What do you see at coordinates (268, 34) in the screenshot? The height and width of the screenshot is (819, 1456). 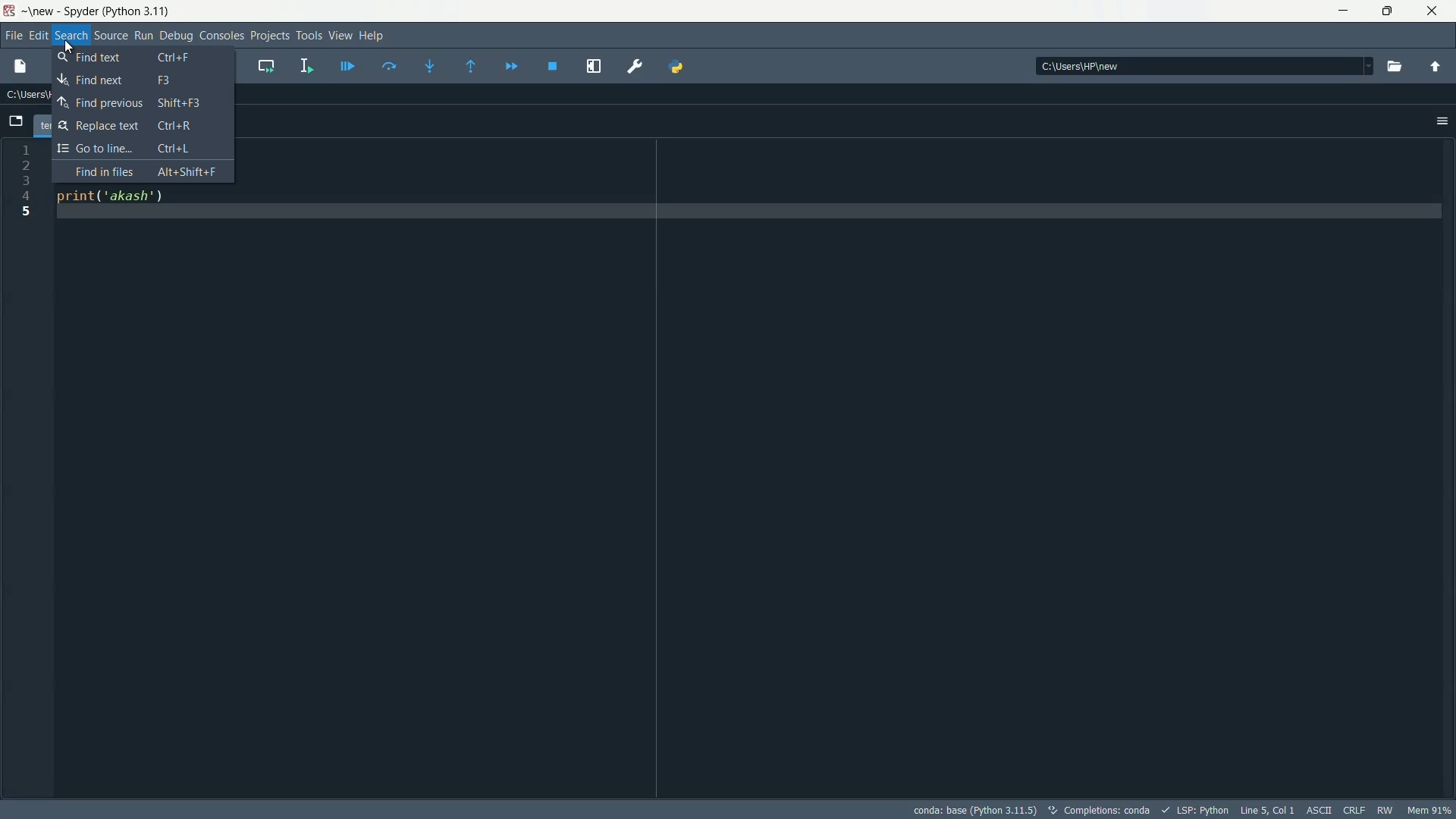 I see `projects menu` at bounding box center [268, 34].